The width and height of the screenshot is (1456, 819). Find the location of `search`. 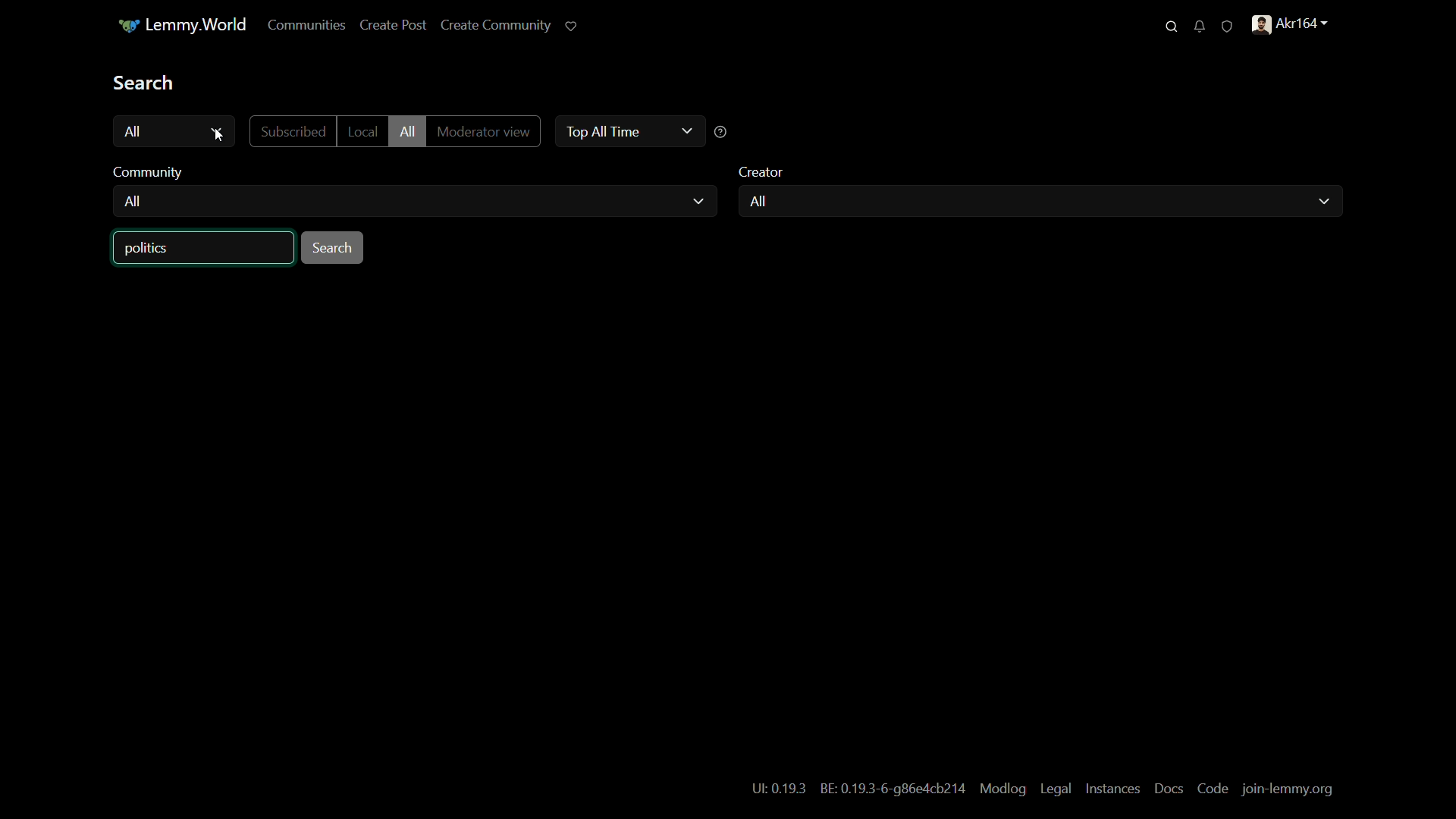

search is located at coordinates (145, 82).